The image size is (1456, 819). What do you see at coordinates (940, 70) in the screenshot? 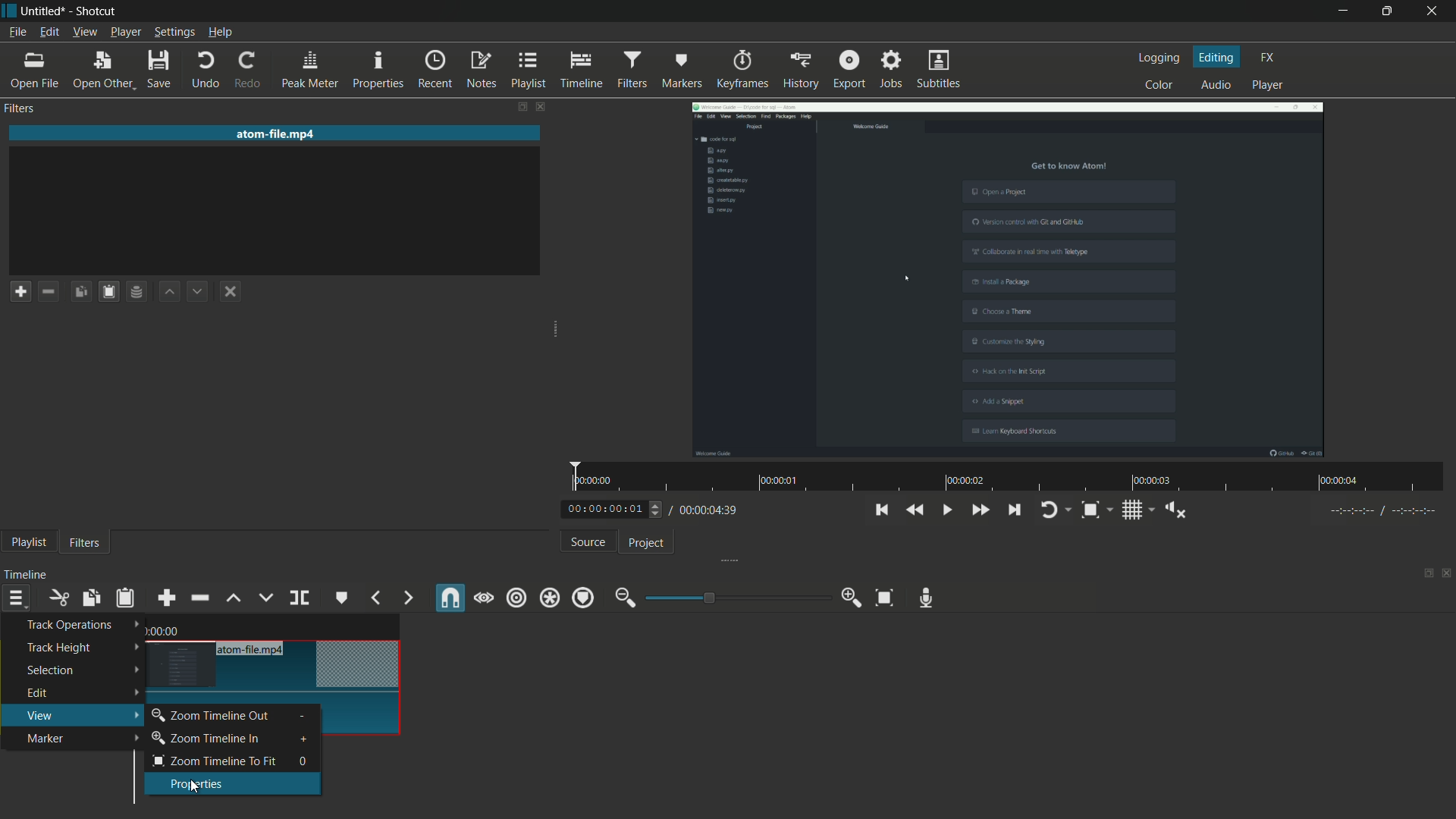
I see `subtitles` at bounding box center [940, 70].